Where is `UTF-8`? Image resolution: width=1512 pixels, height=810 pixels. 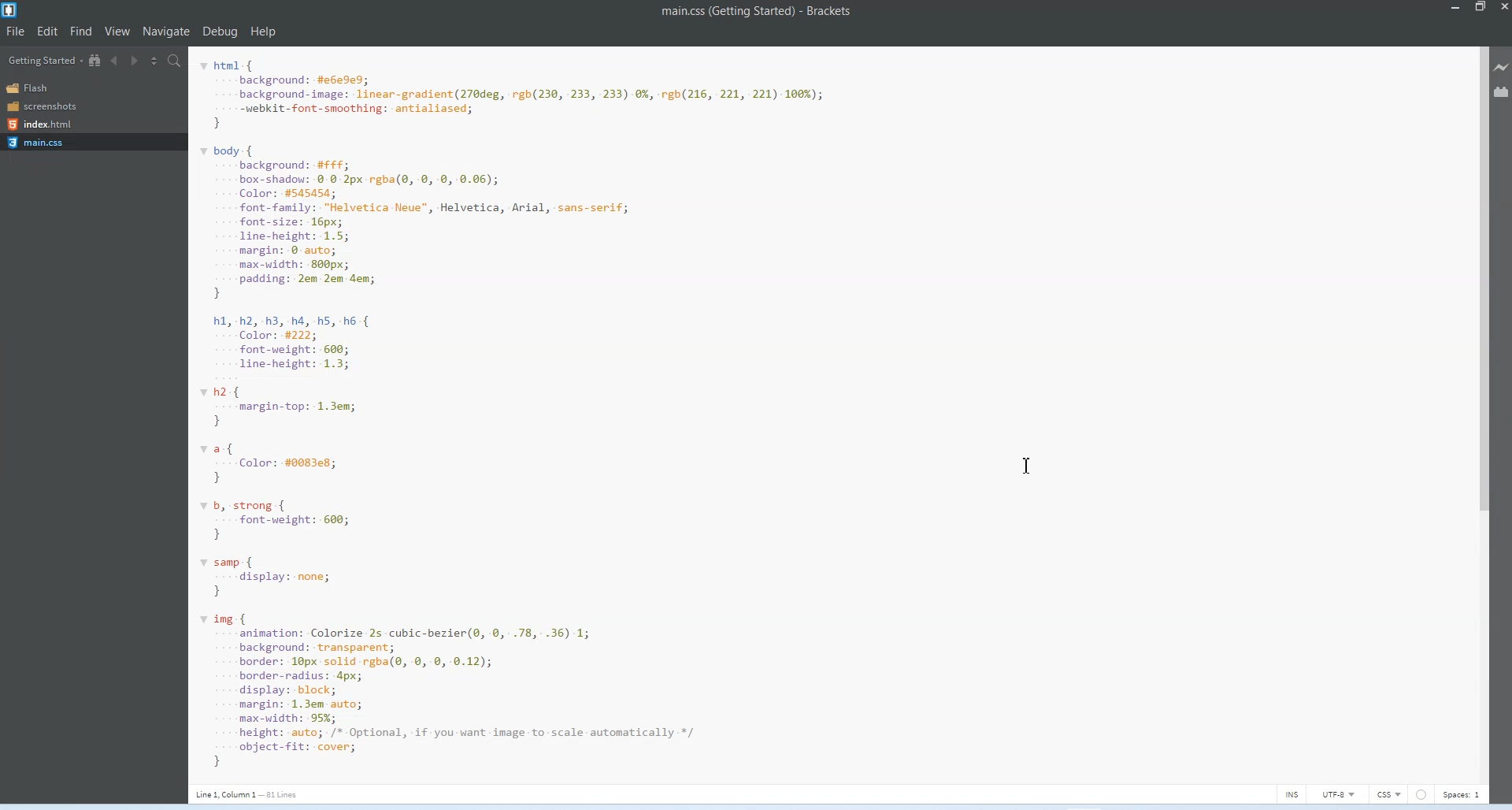
UTF-8 is located at coordinates (1337, 794).